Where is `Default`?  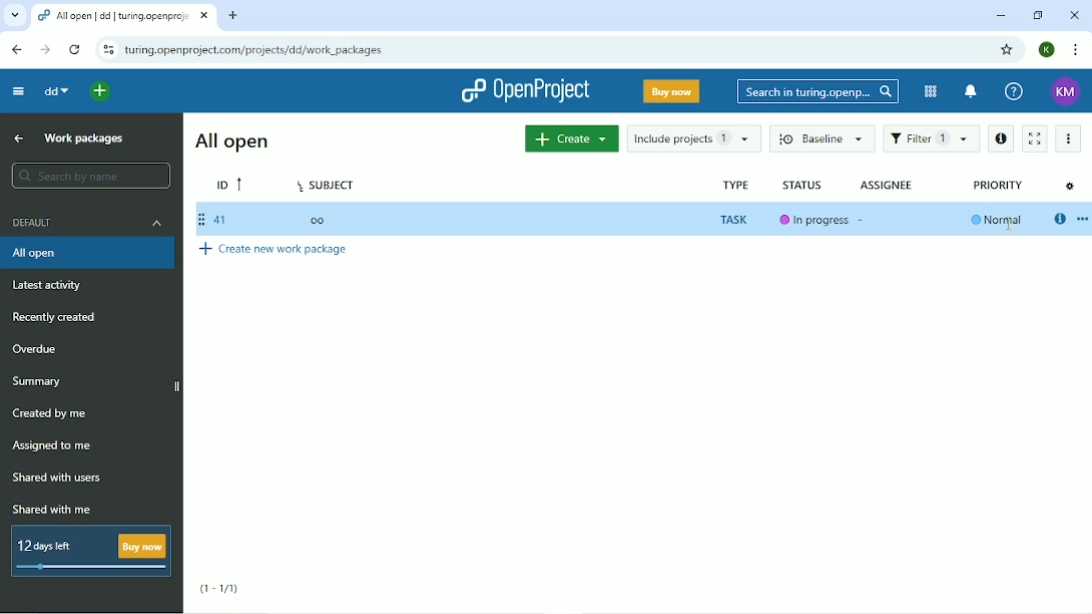
Default is located at coordinates (89, 224).